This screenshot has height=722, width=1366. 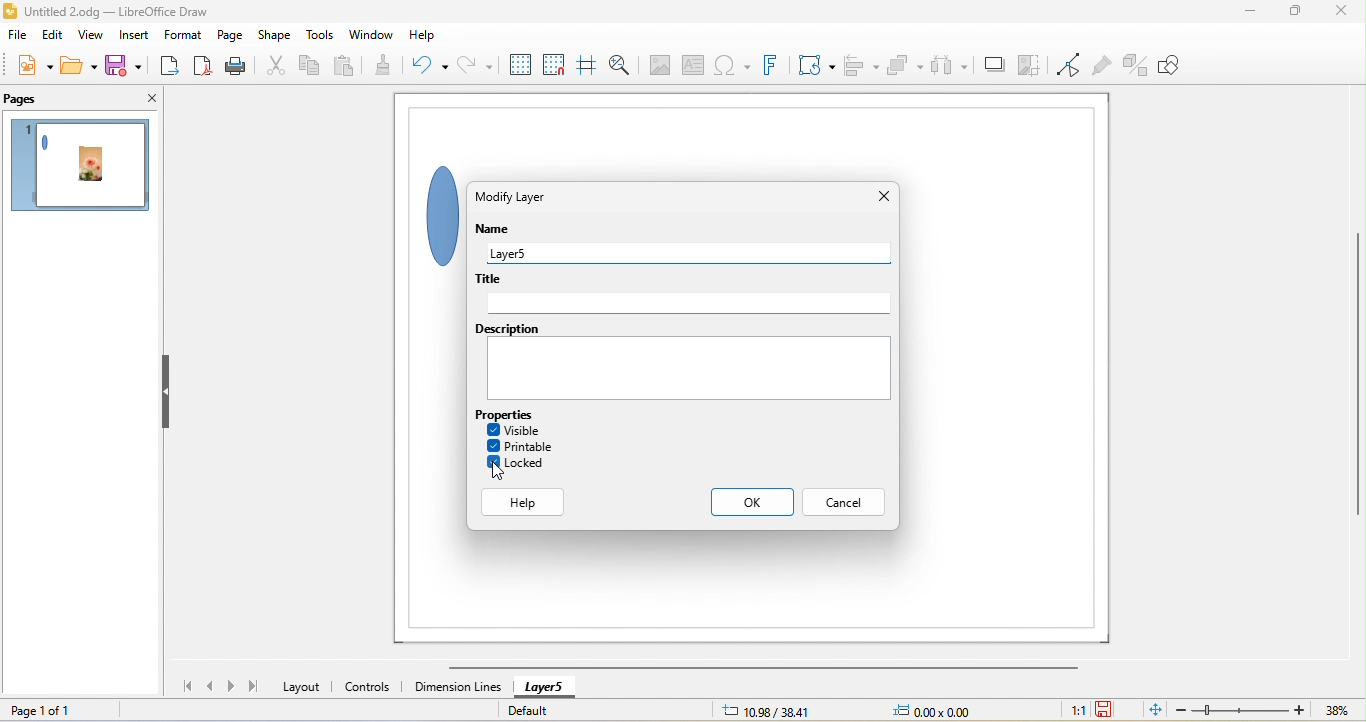 What do you see at coordinates (930, 710) in the screenshot?
I see `0.00x0.00` at bounding box center [930, 710].